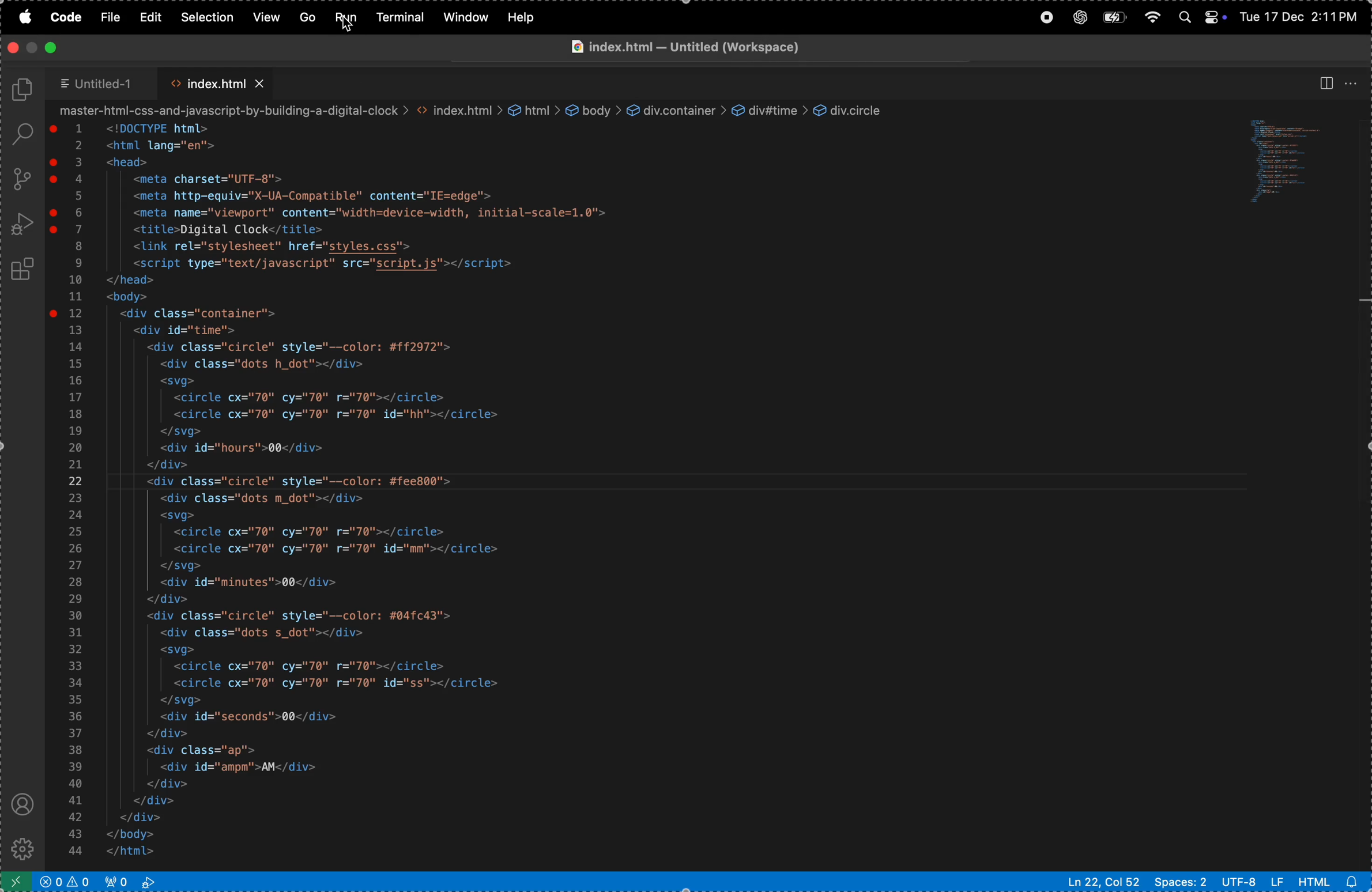  What do you see at coordinates (24, 19) in the screenshot?
I see `apple menu` at bounding box center [24, 19].